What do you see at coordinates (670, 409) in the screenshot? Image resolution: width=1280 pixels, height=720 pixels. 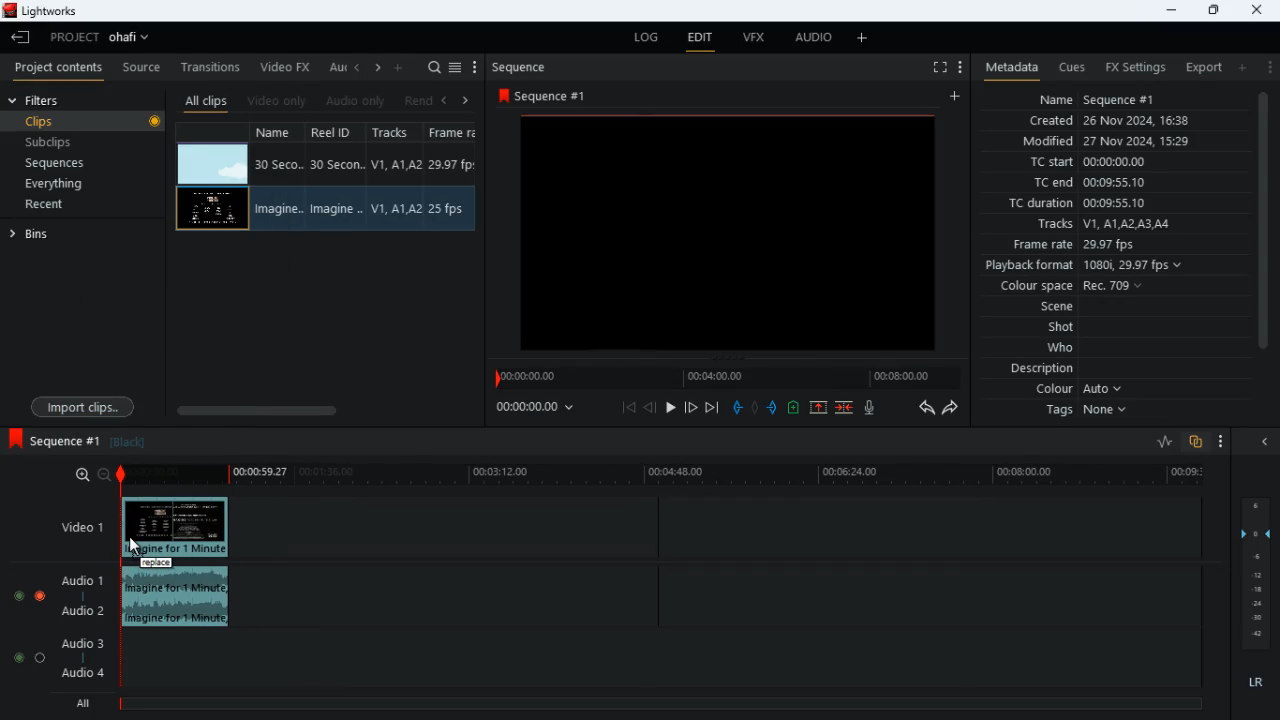 I see `play` at bounding box center [670, 409].